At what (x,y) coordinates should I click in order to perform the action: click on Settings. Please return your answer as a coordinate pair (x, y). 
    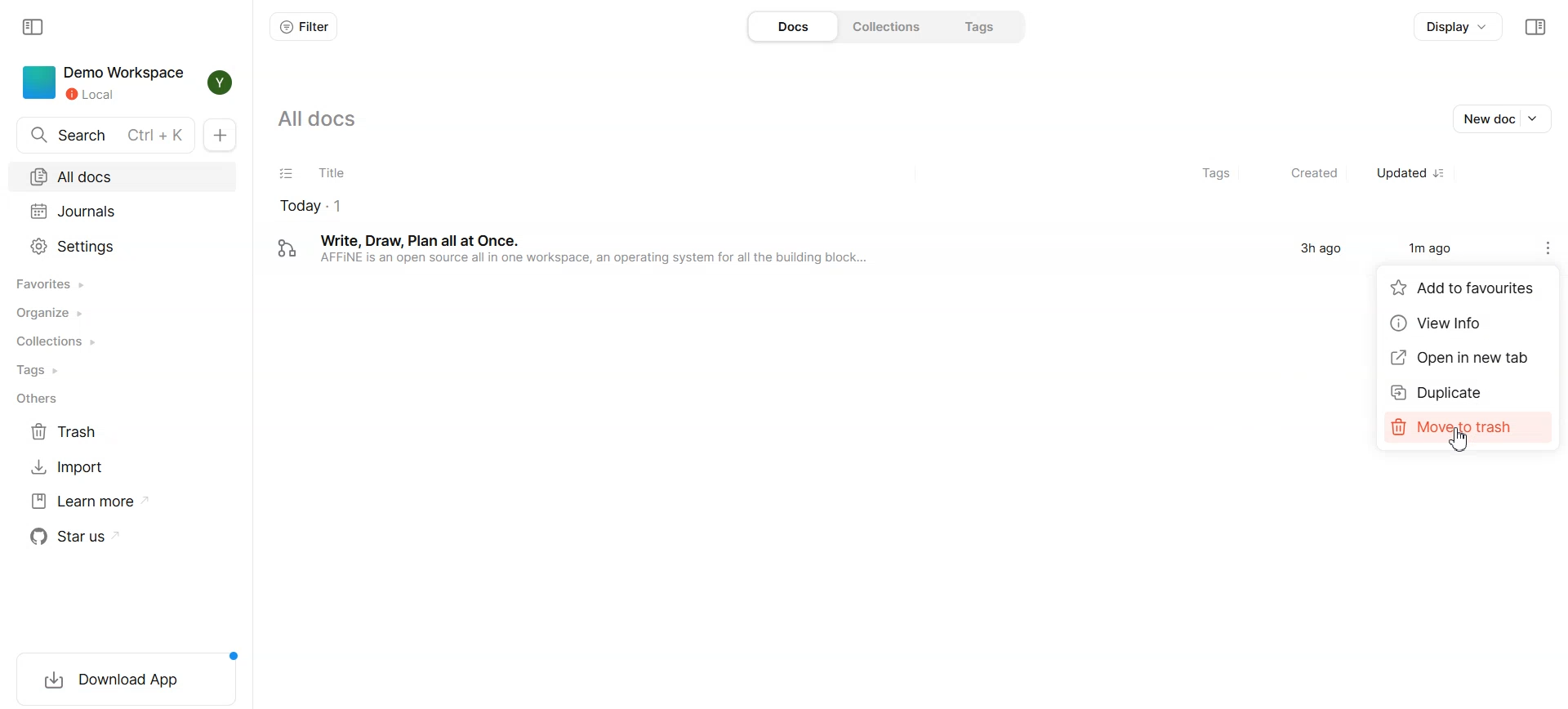
    Looking at the image, I should click on (122, 247).